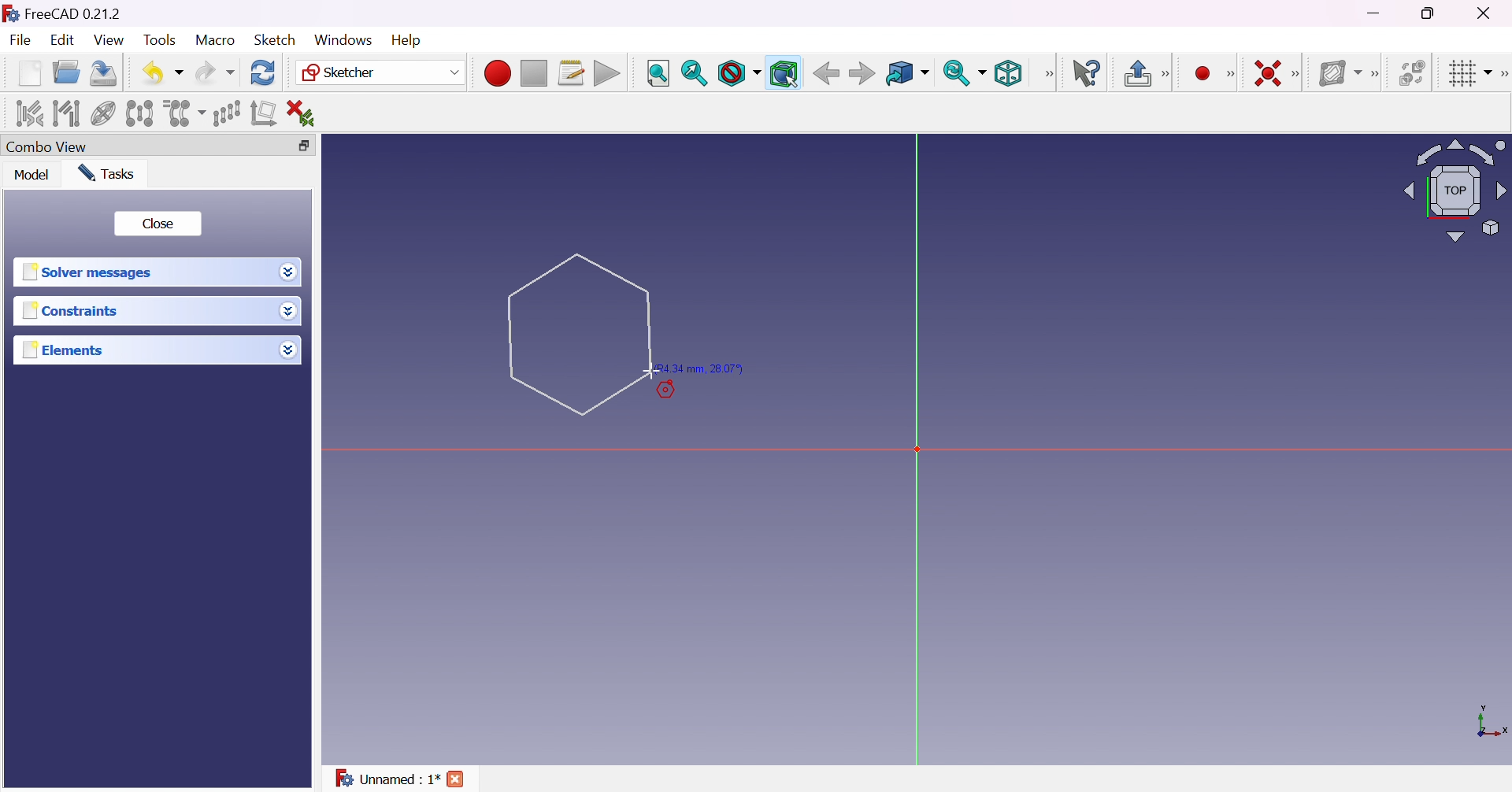  What do you see at coordinates (104, 73) in the screenshot?
I see `Save` at bounding box center [104, 73].